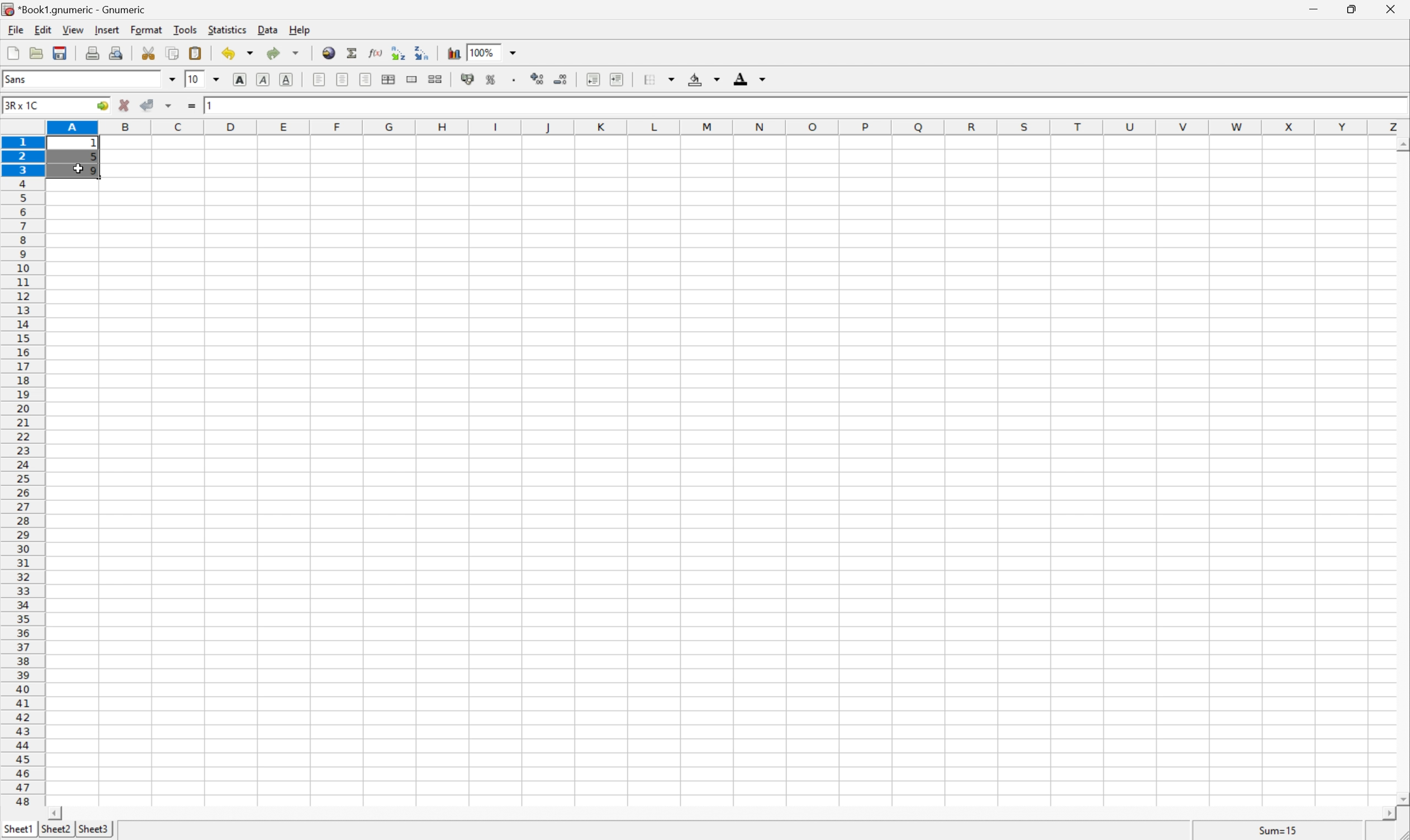 This screenshot has height=840, width=1410. I want to click on cancel changes, so click(125, 105).